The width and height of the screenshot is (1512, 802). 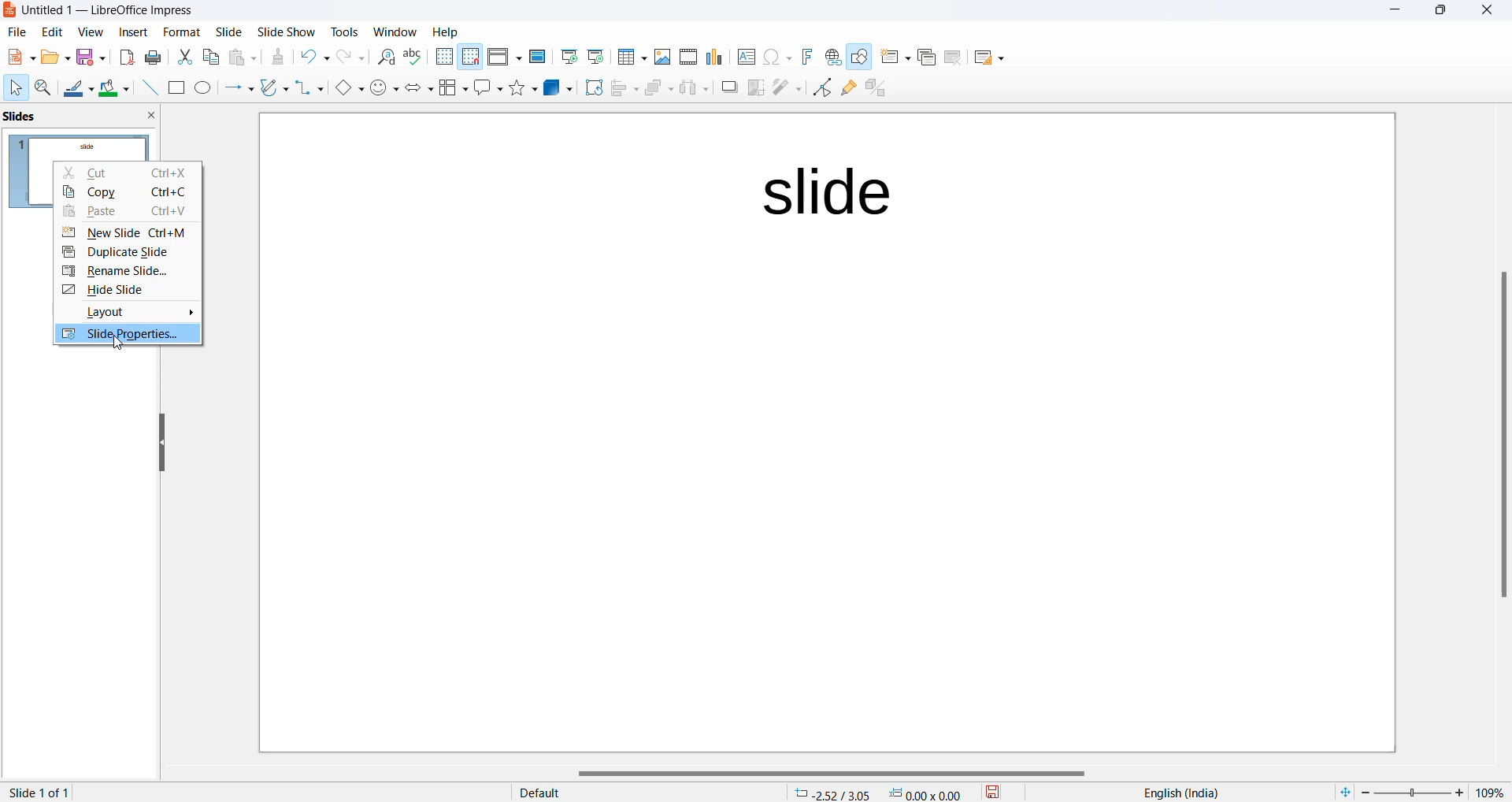 I want to click on insert audio or video, so click(x=687, y=58).